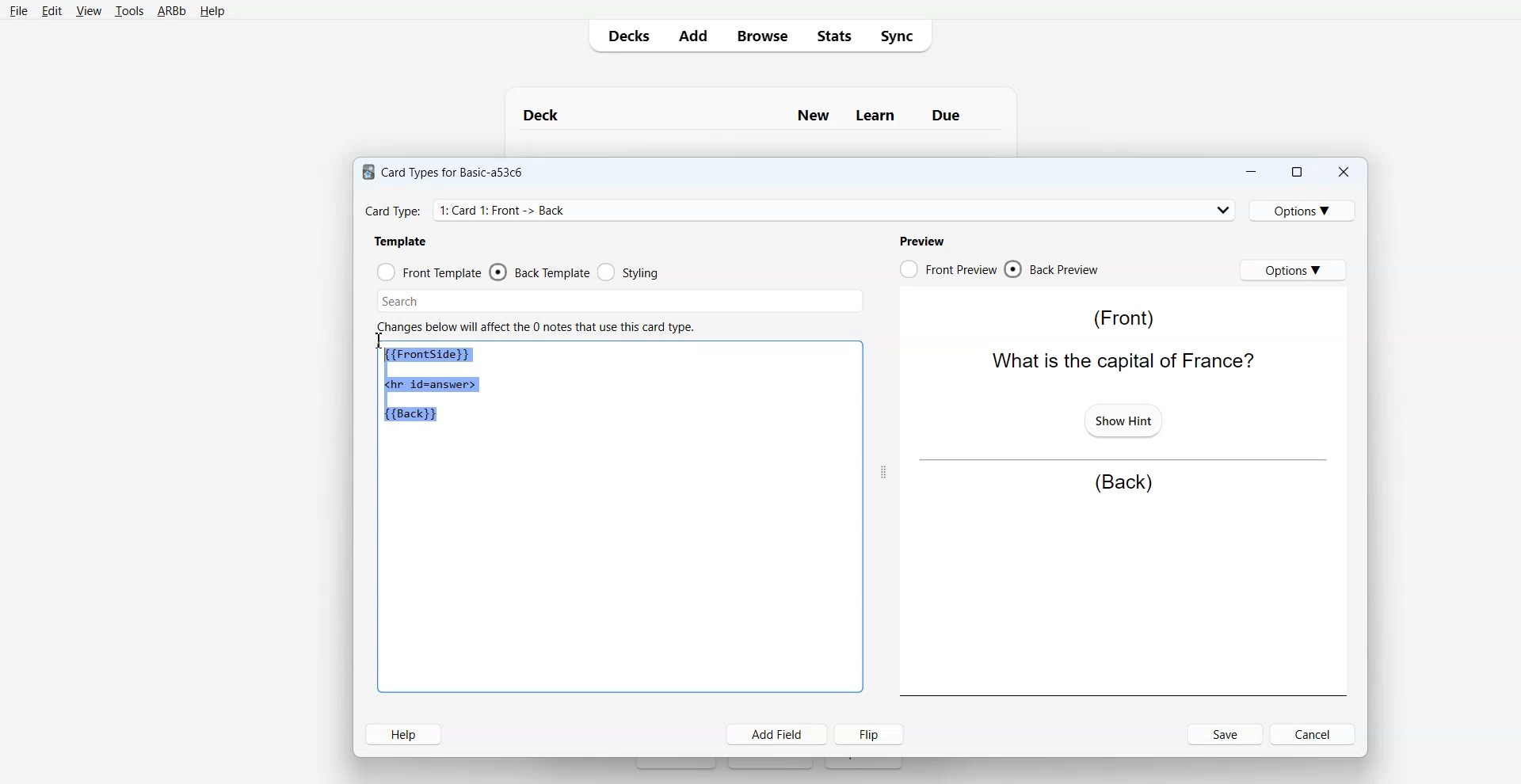 The width and height of the screenshot is (1521, 784). What do you see at coordinates (539, 272) in the screenshot?
I see `Back Template` at bounding box center [539, 272].